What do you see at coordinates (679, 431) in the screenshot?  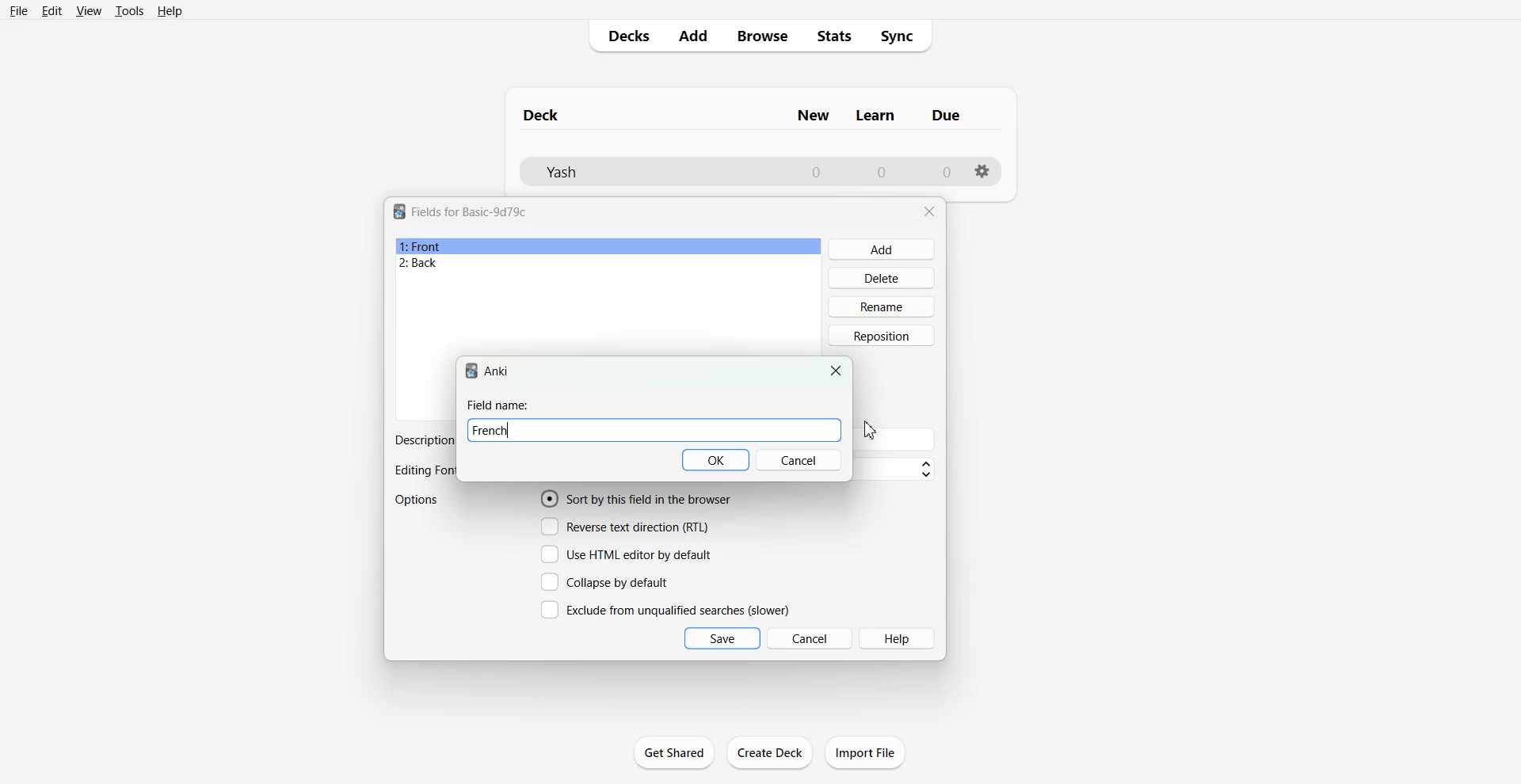 I see `Input box for field Name` at bounding box center [679, 431].